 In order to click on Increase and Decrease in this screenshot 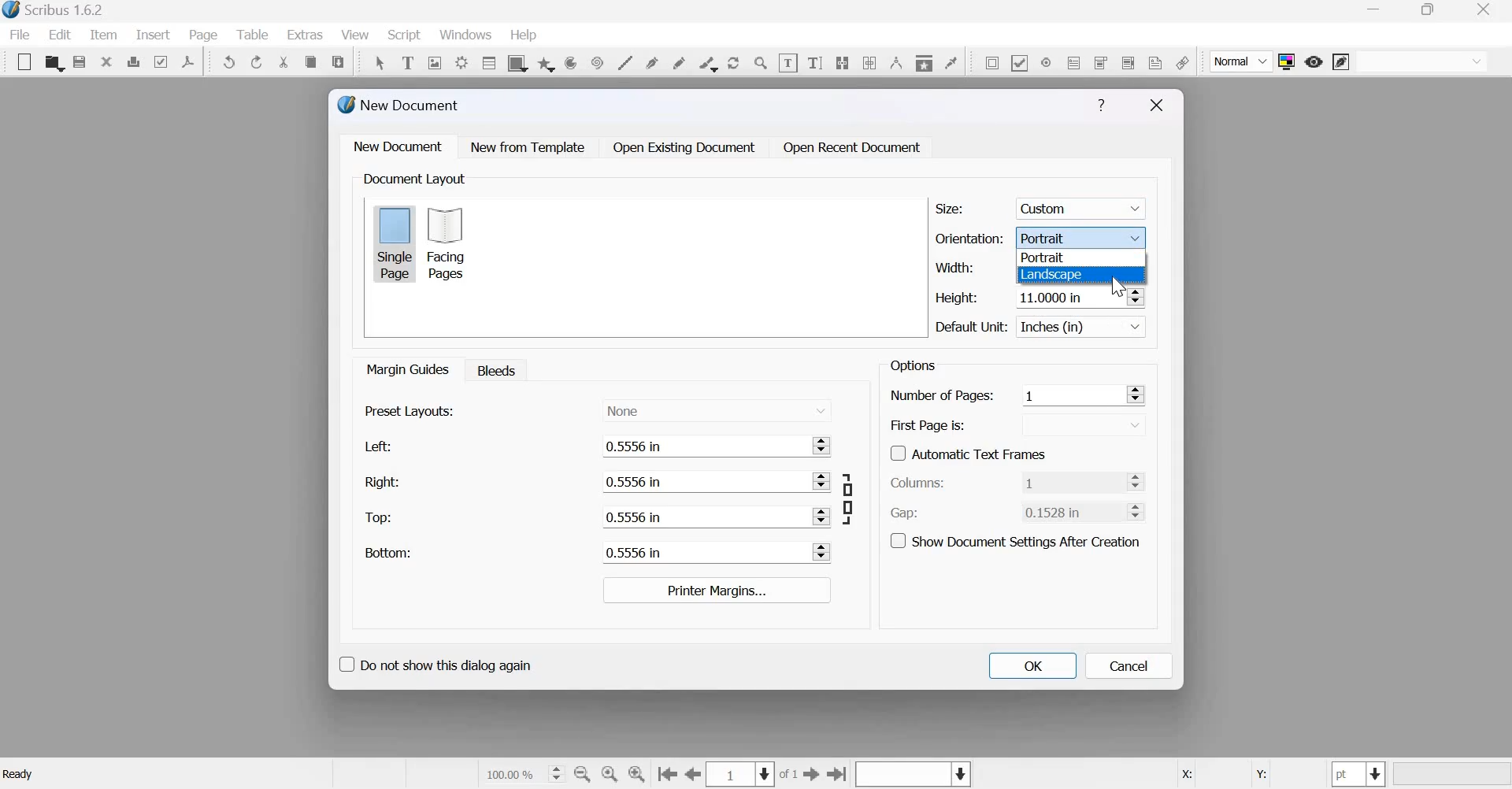, I will do `click(1136, 481)`.